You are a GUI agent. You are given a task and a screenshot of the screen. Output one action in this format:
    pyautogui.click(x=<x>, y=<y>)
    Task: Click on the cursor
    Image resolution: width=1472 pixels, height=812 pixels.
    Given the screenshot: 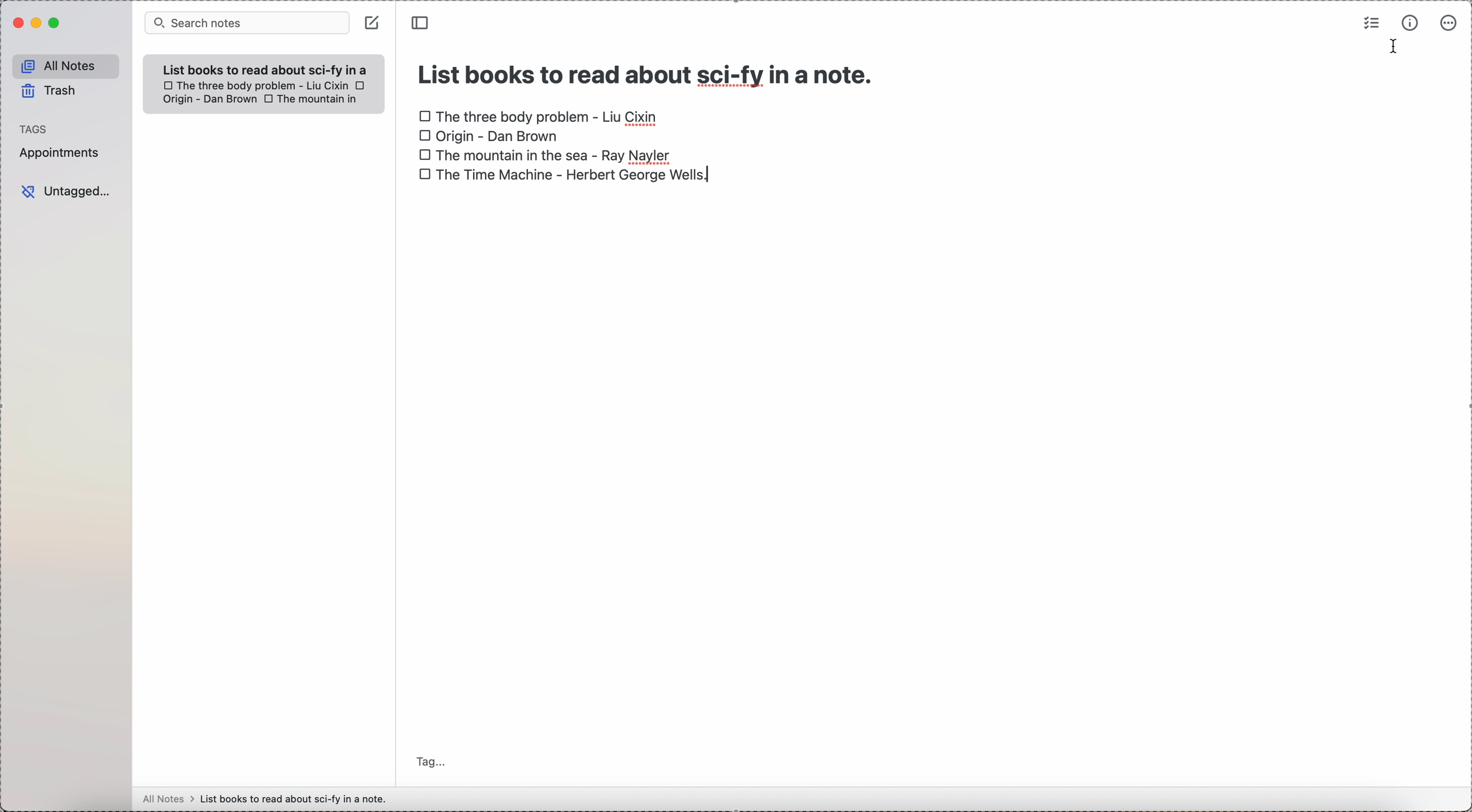 What is the action you would take?
    pyautogui.click(x=1394, y=49)
    